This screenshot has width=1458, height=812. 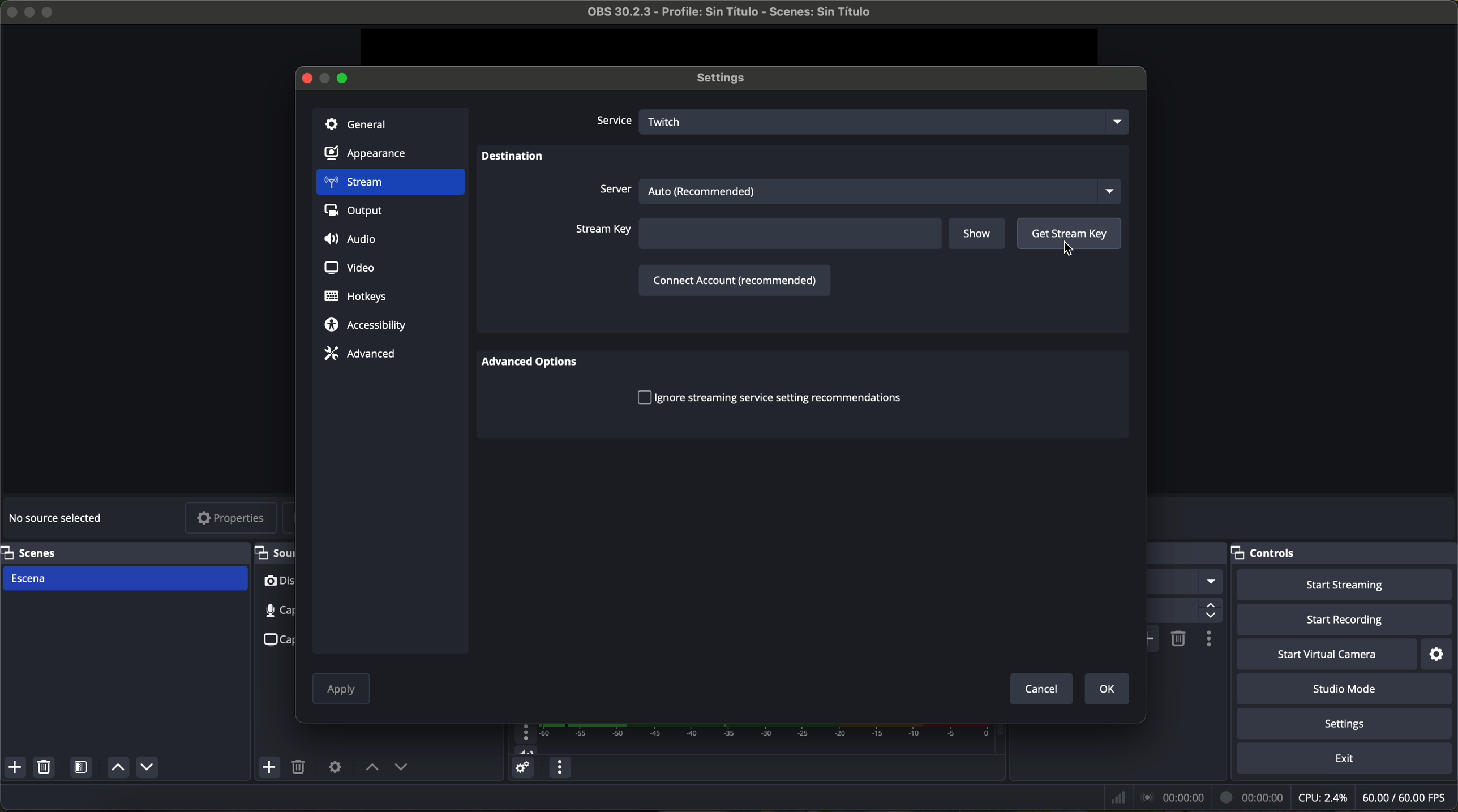 I want to click on add configurable transition, so click(x=1153, y=639).